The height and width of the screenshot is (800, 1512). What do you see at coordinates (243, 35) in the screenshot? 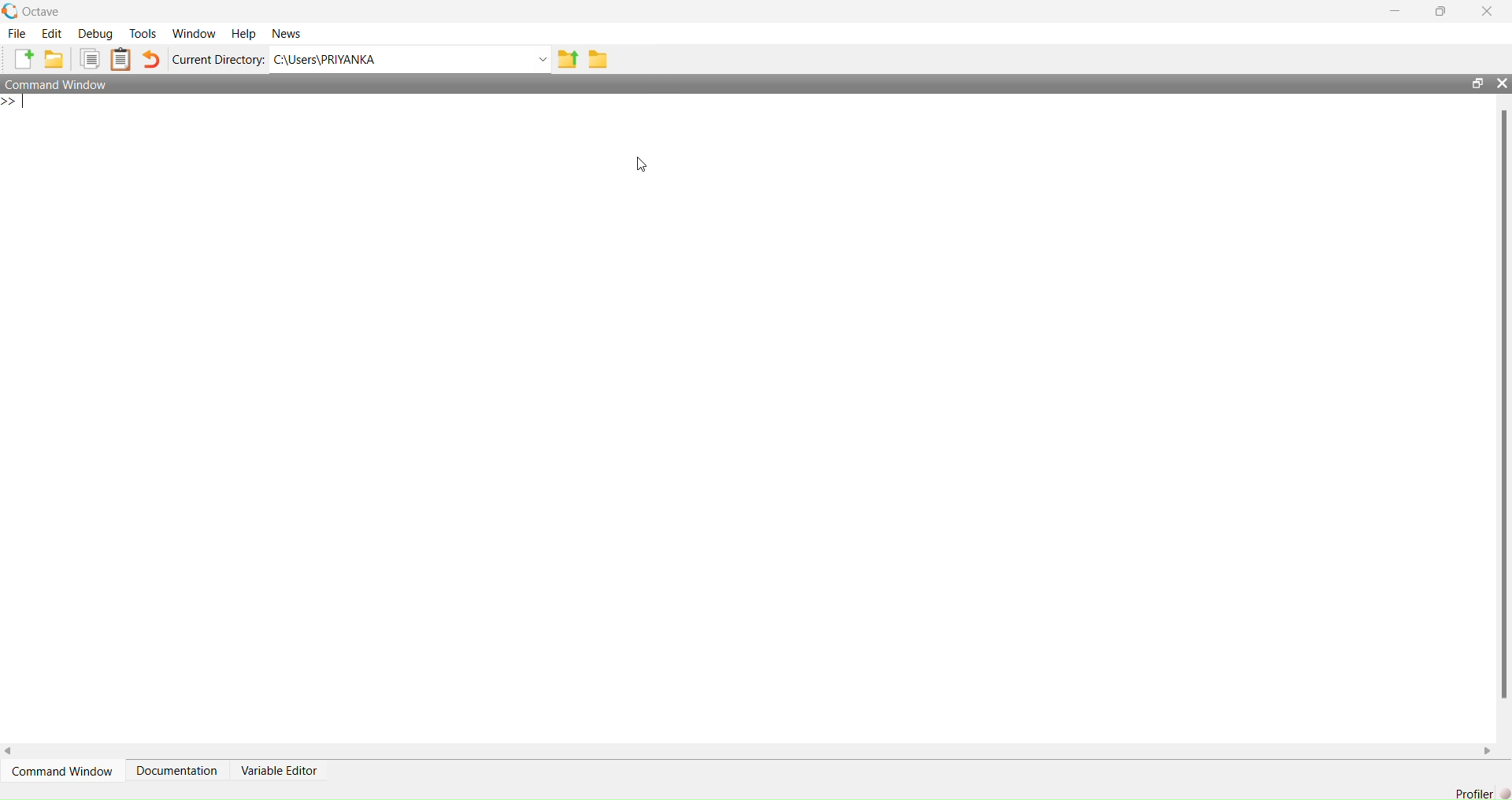
I see `help` at bounding box center [243, 35].